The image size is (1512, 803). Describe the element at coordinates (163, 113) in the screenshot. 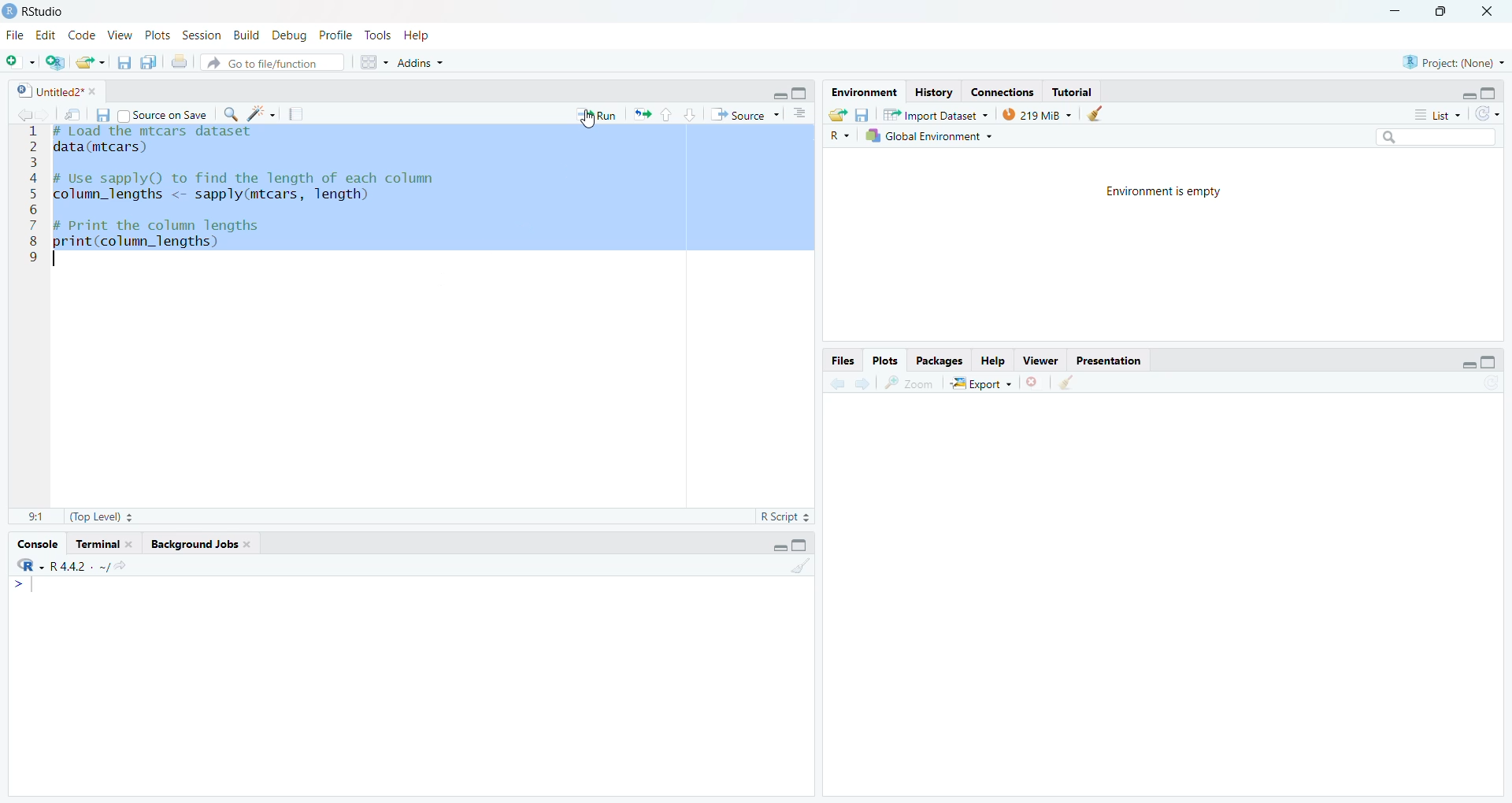

I see `Source on Save` at that location.